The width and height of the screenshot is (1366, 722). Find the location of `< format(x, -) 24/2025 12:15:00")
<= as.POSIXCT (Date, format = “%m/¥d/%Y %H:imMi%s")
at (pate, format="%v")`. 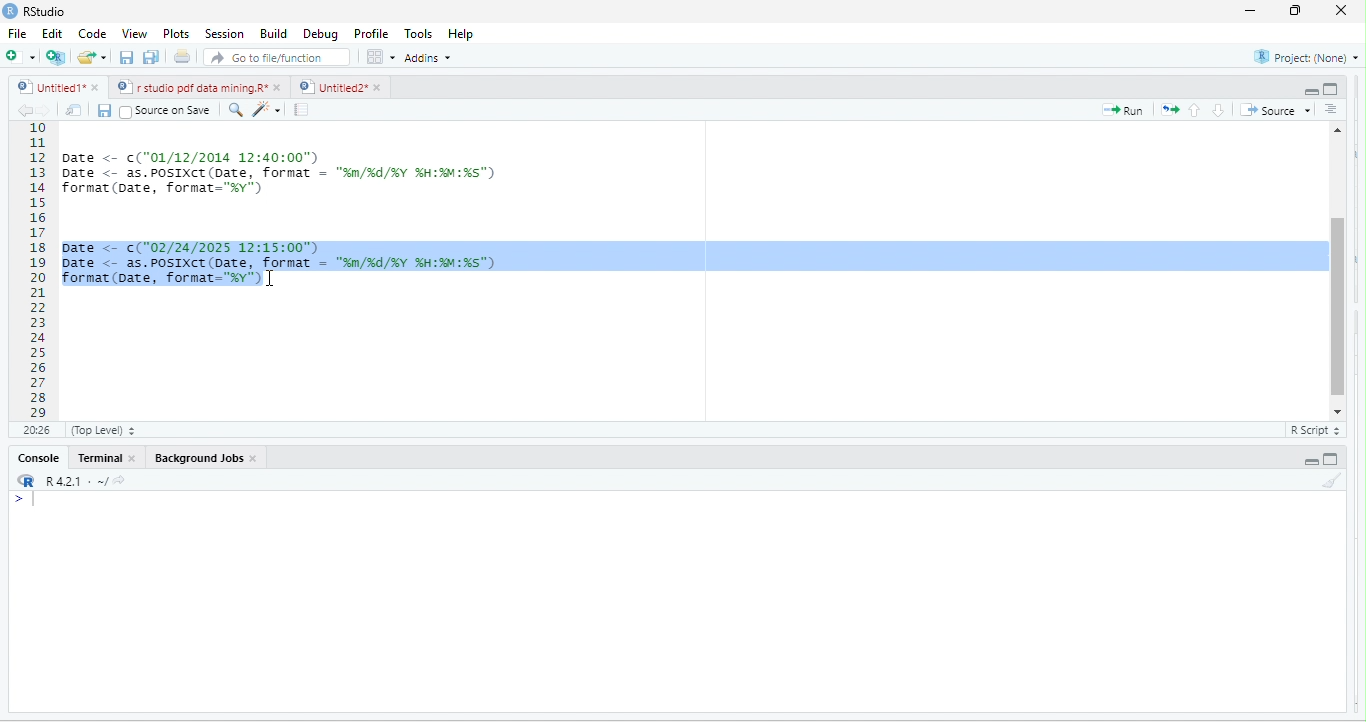

< format(x, -) 24/2025 12:15:00")
<= as.POSIXCT (Date, format = “%m/¥d/%Y %H:imMi%s")
at (pate, format="%v") is located at coordinates (689, 269).